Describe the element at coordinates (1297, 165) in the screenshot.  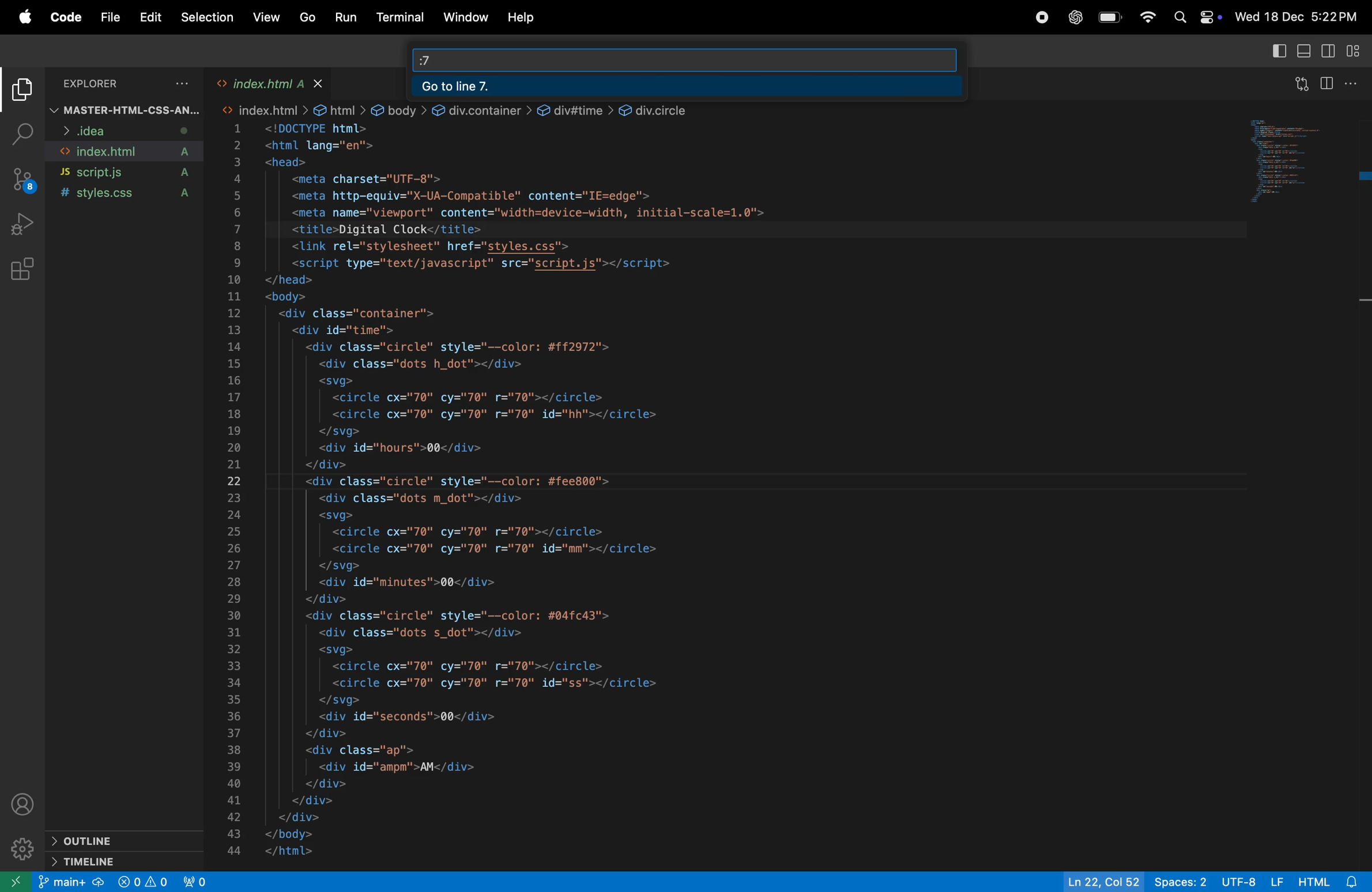
I see `code window` at that location.